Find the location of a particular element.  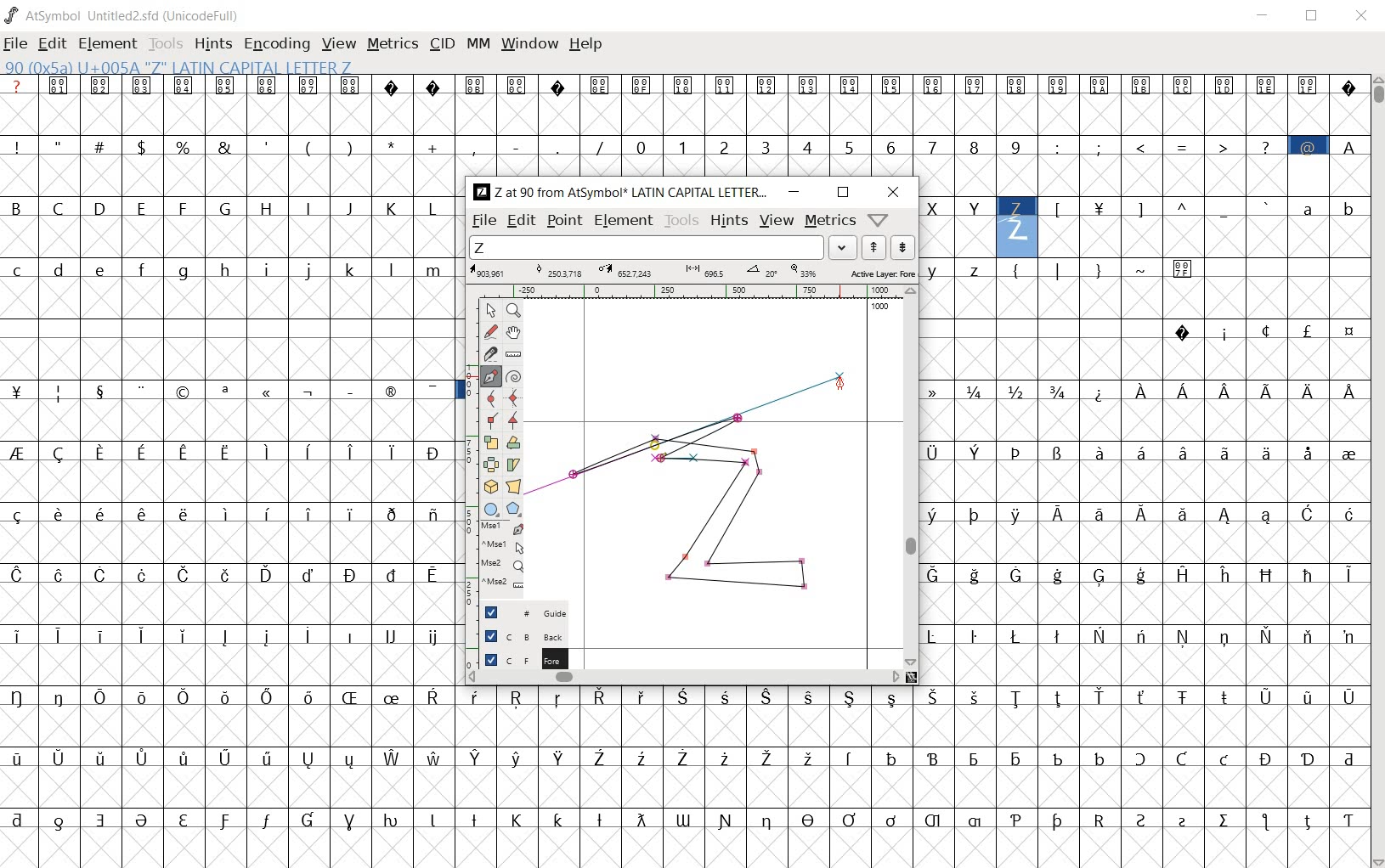

90(0x5a) U+005A "Z" LATIN CAPITAL LETTER Z is located at coordinates (178, 68).